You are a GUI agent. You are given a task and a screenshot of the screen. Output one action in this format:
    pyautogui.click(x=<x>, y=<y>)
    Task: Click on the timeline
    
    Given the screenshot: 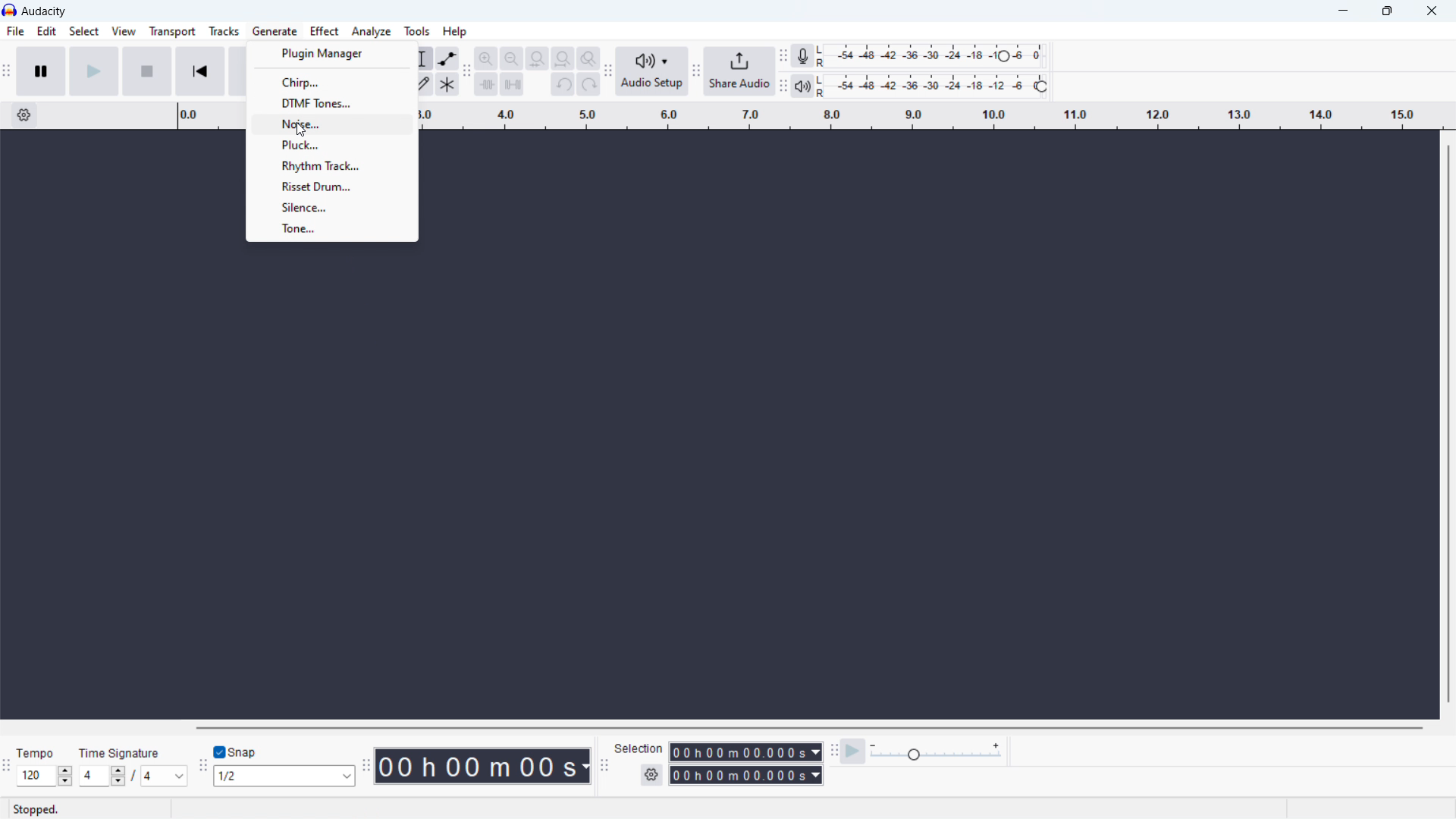 What is the action you would take?
    pyautogui.click(x=935, y=115)
    